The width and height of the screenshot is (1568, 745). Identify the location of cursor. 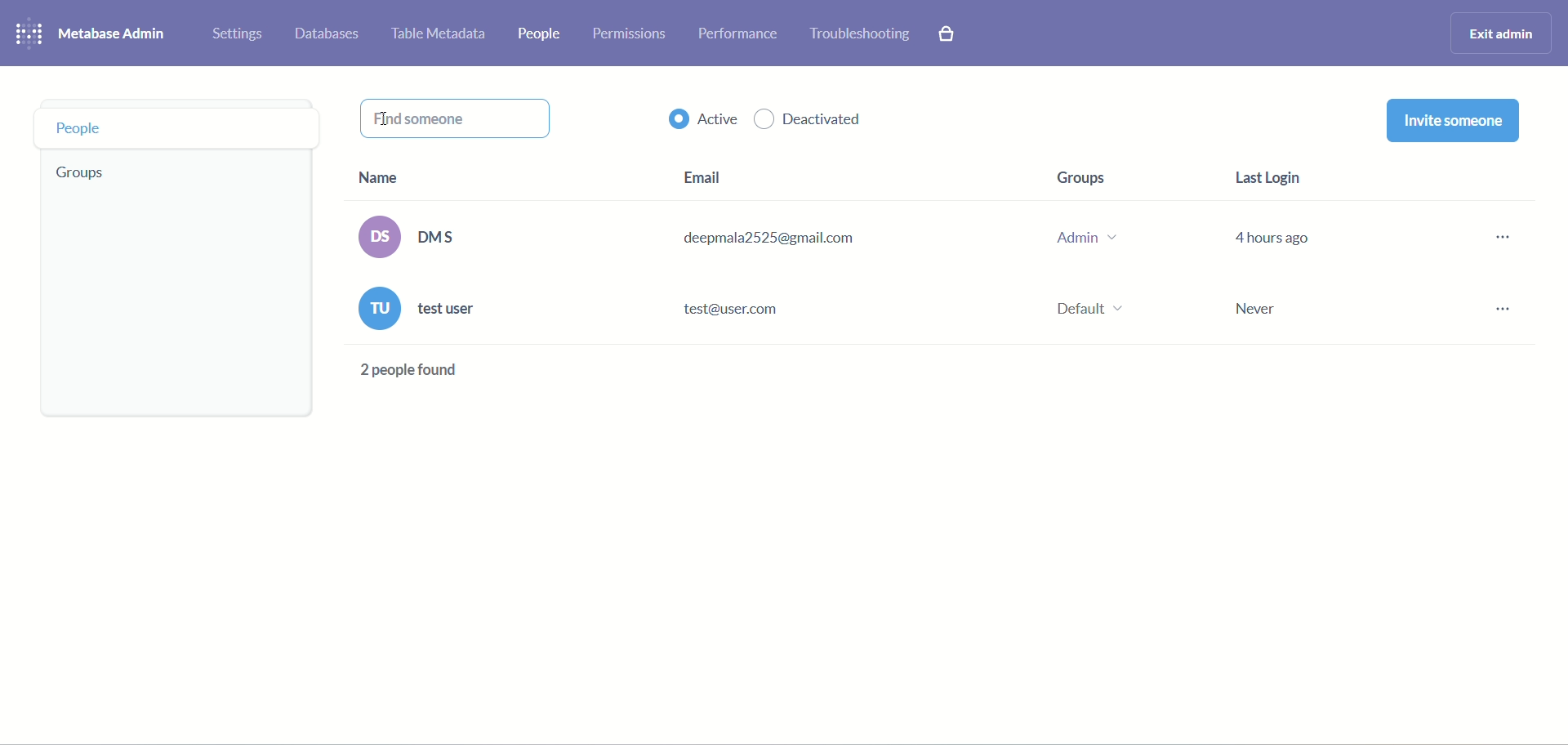
(385, 120).